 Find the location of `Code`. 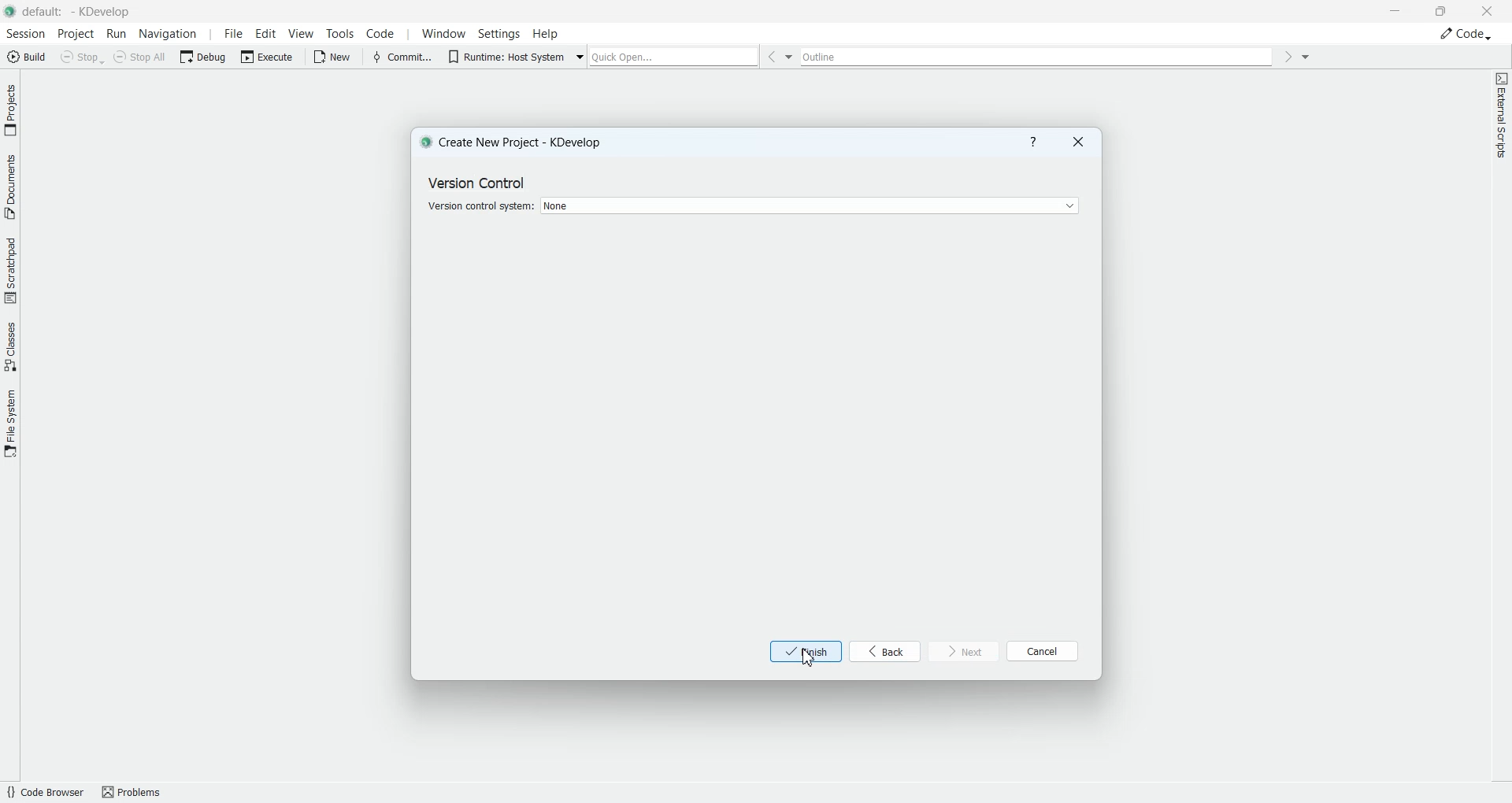

Code is located at coordinates (381, 33).